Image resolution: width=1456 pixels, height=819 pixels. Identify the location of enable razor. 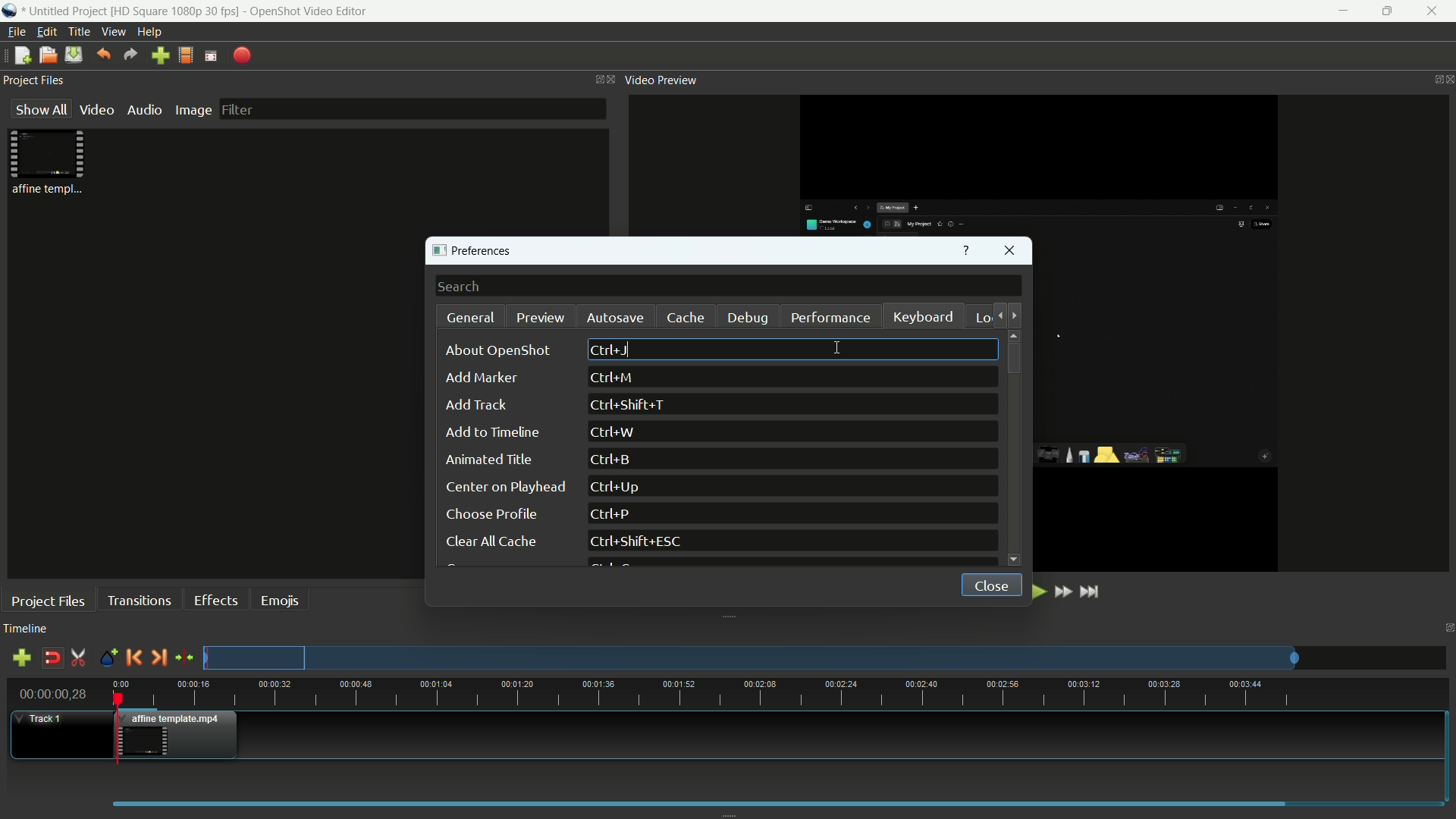
(78, 658).